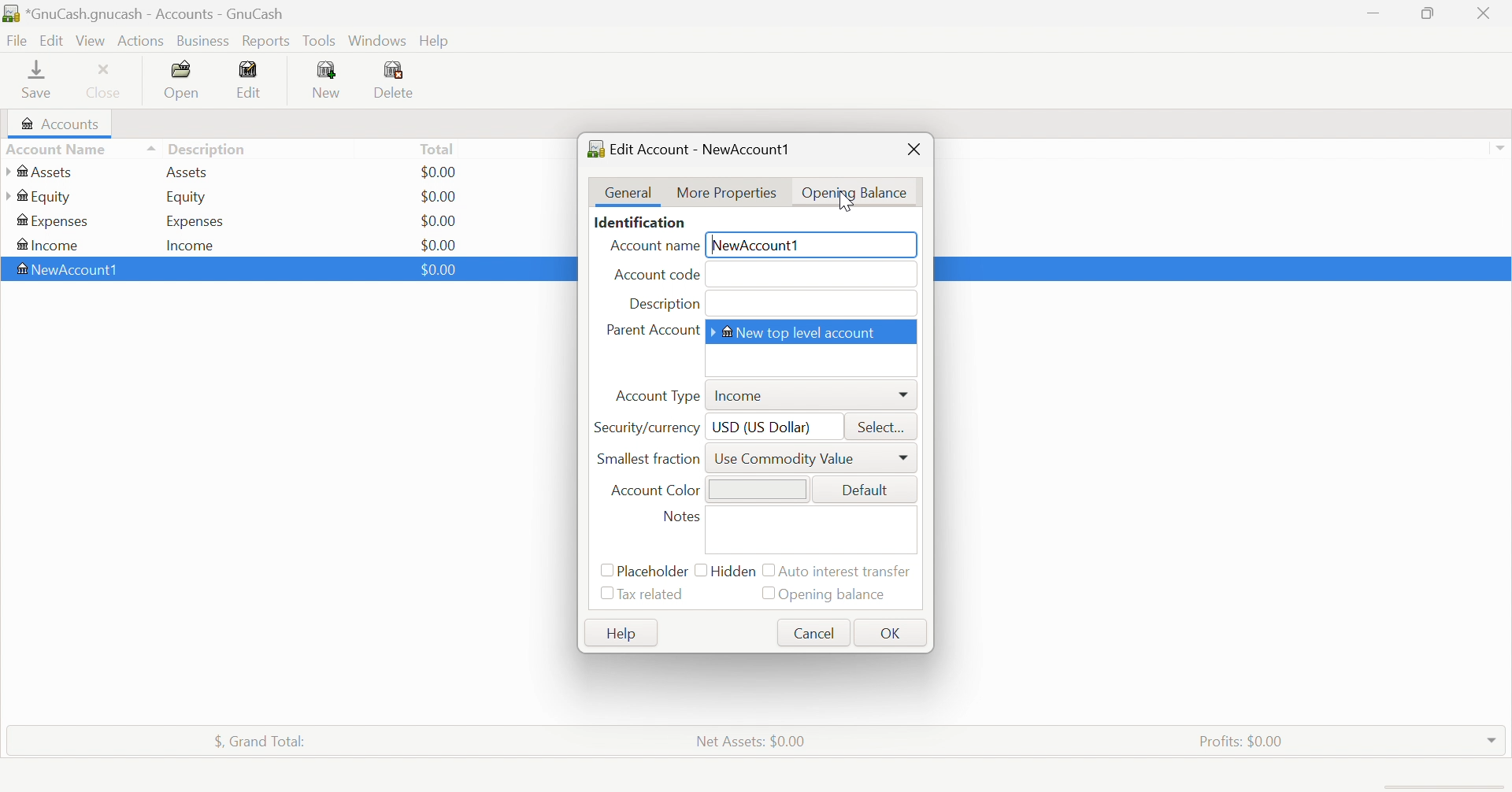 Image resolution: width=1512 pixels, height=792 pixels. I want to click on Checkbox, so click(764, 593).